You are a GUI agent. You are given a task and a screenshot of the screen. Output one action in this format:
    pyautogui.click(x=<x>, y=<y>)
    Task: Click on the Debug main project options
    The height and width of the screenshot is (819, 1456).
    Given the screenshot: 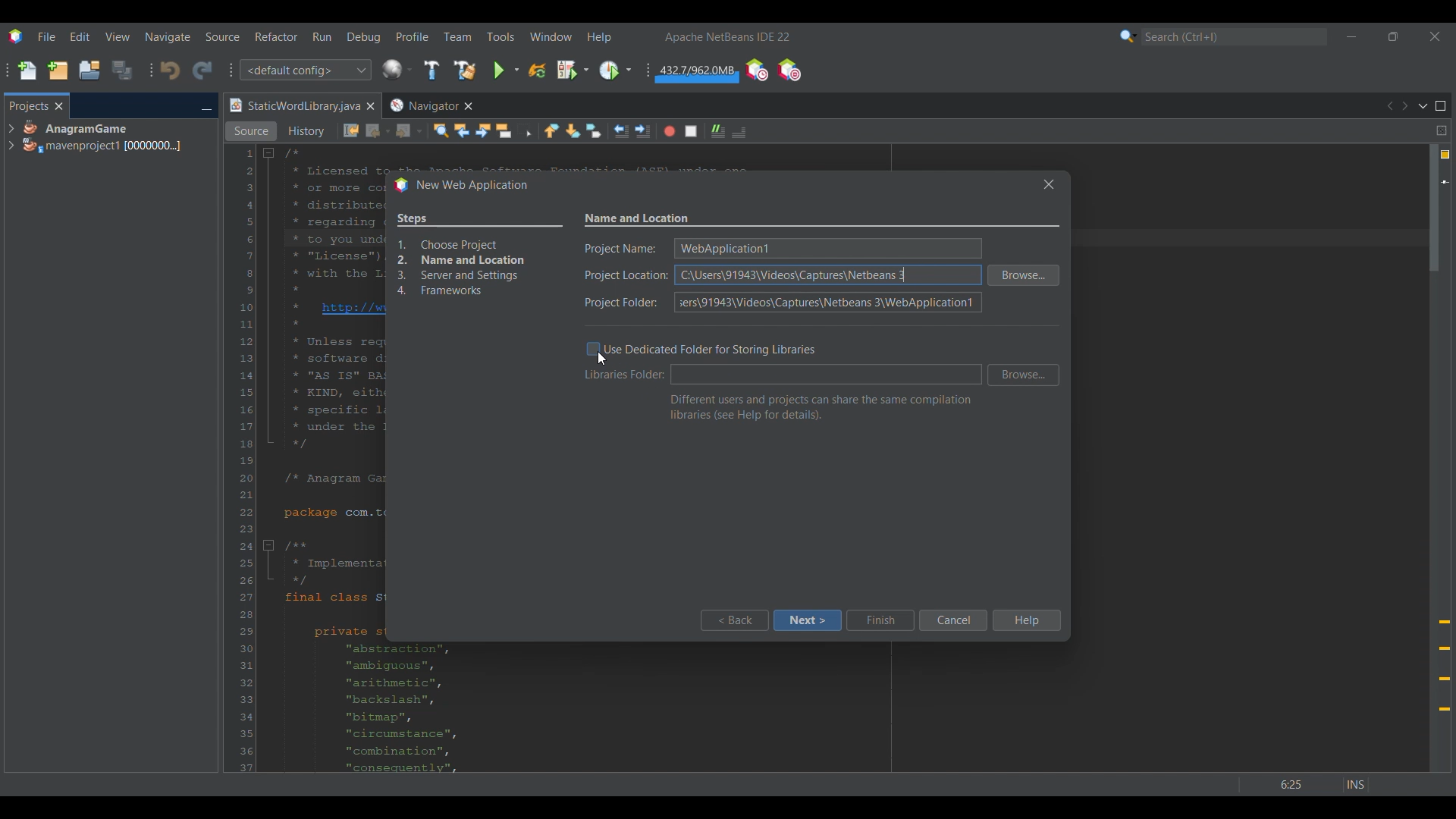 What is the action you would take?
    pyautogui.click(x=573, y=69)
    